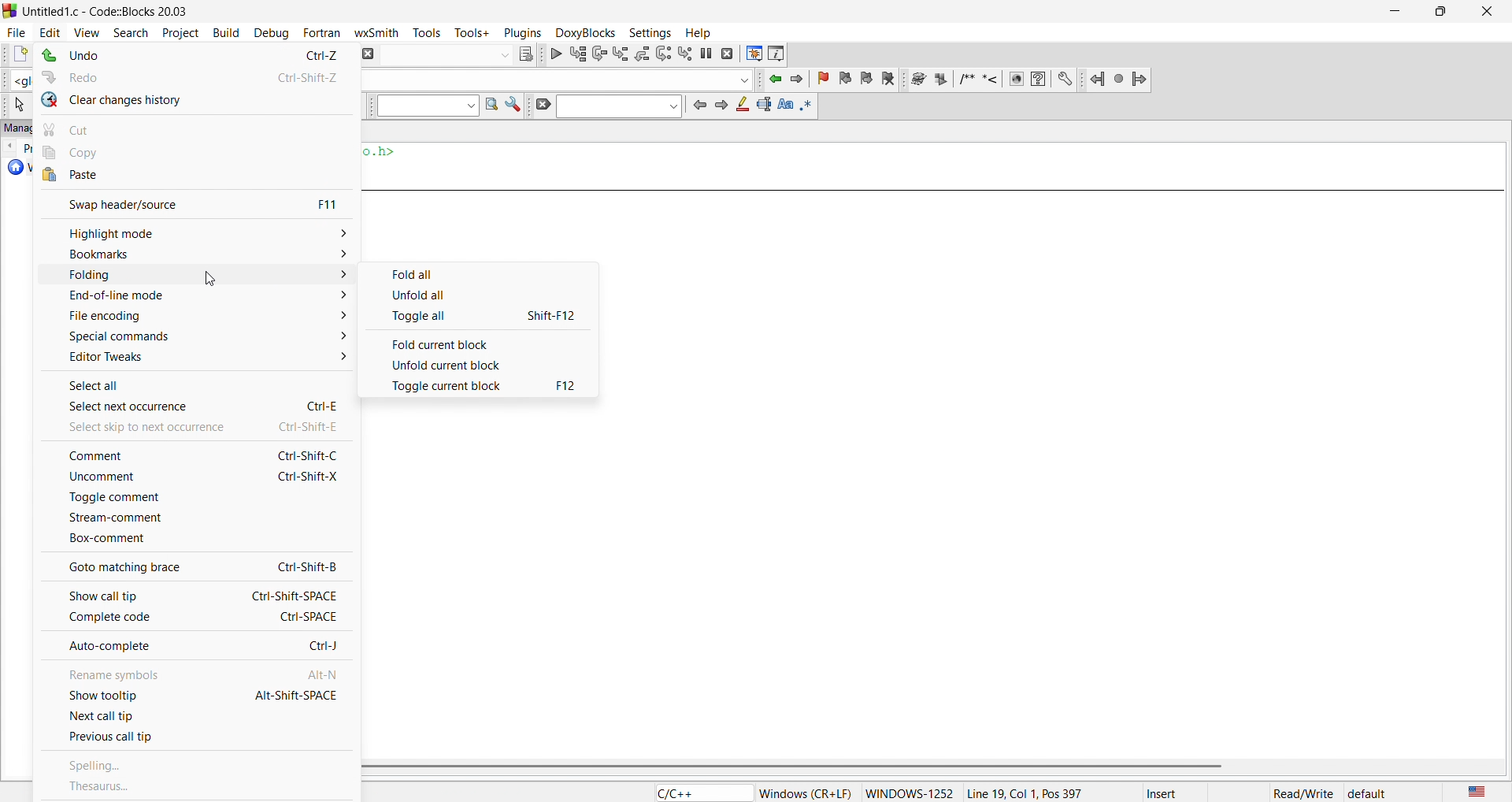 Image resolution: width=1512 pixels, height=802 pixels. Describe the element at coordinates (1303, 792) in the screenshot. I see `Read/Write` at that location.